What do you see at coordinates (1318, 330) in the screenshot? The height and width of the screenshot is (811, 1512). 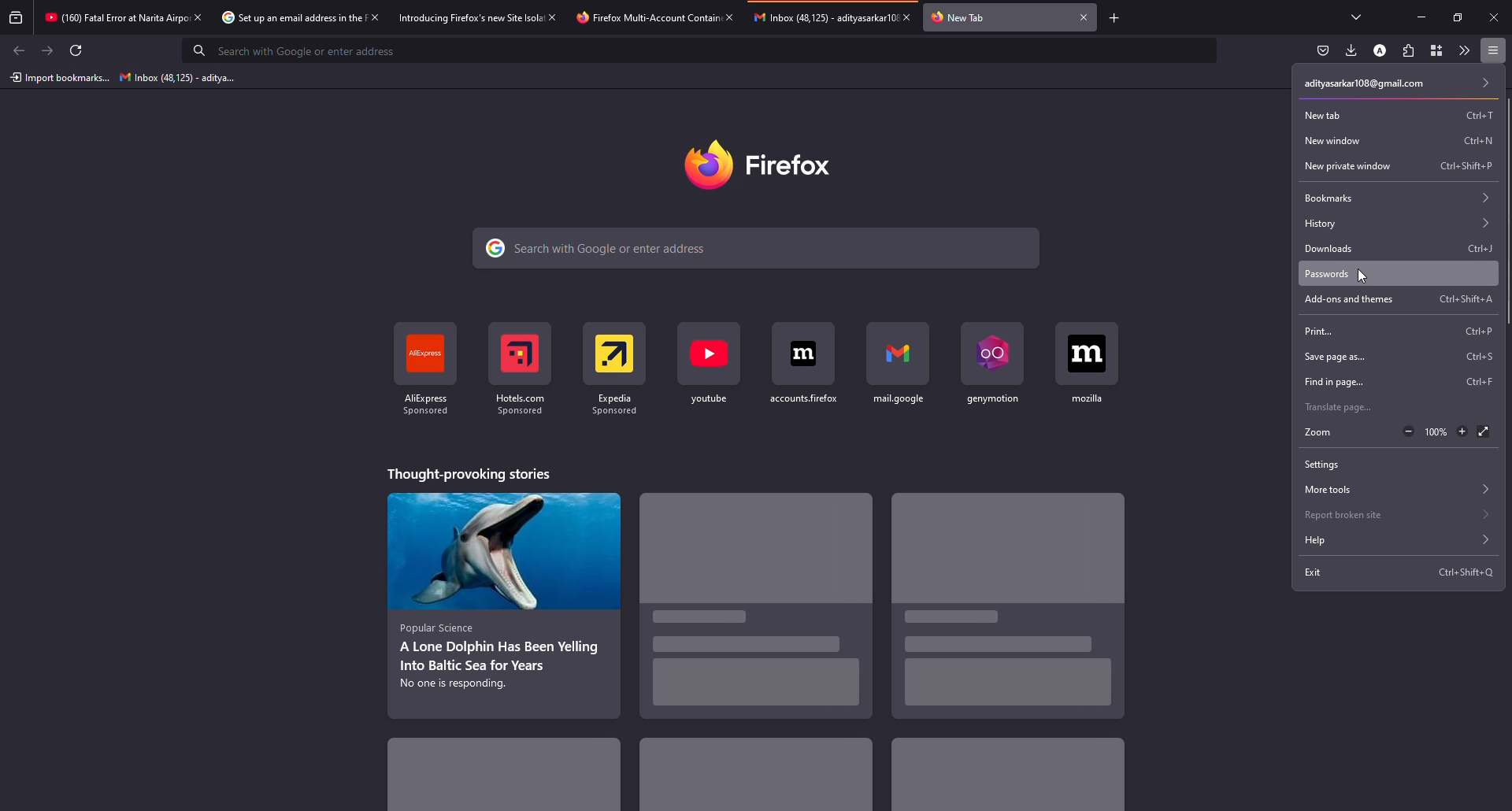 I see `print` at bounding box center [1318, 330].